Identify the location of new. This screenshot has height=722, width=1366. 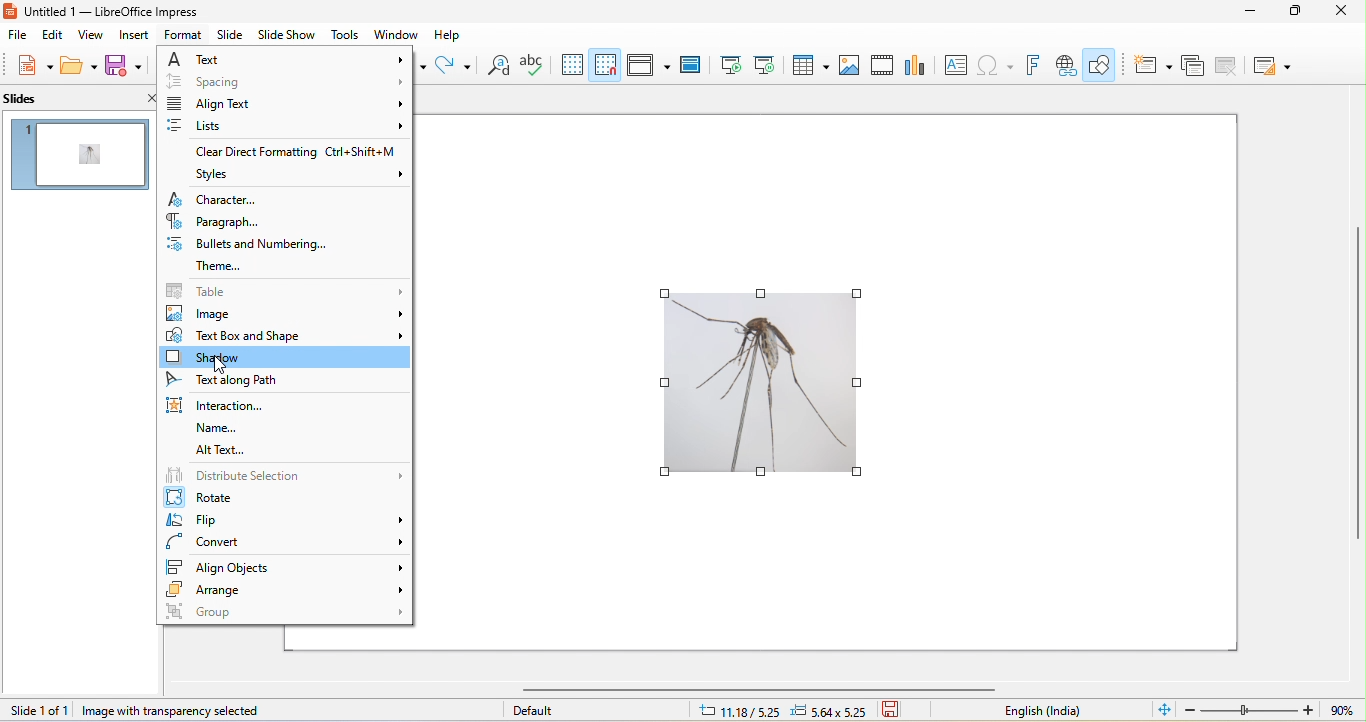
(35, 66).